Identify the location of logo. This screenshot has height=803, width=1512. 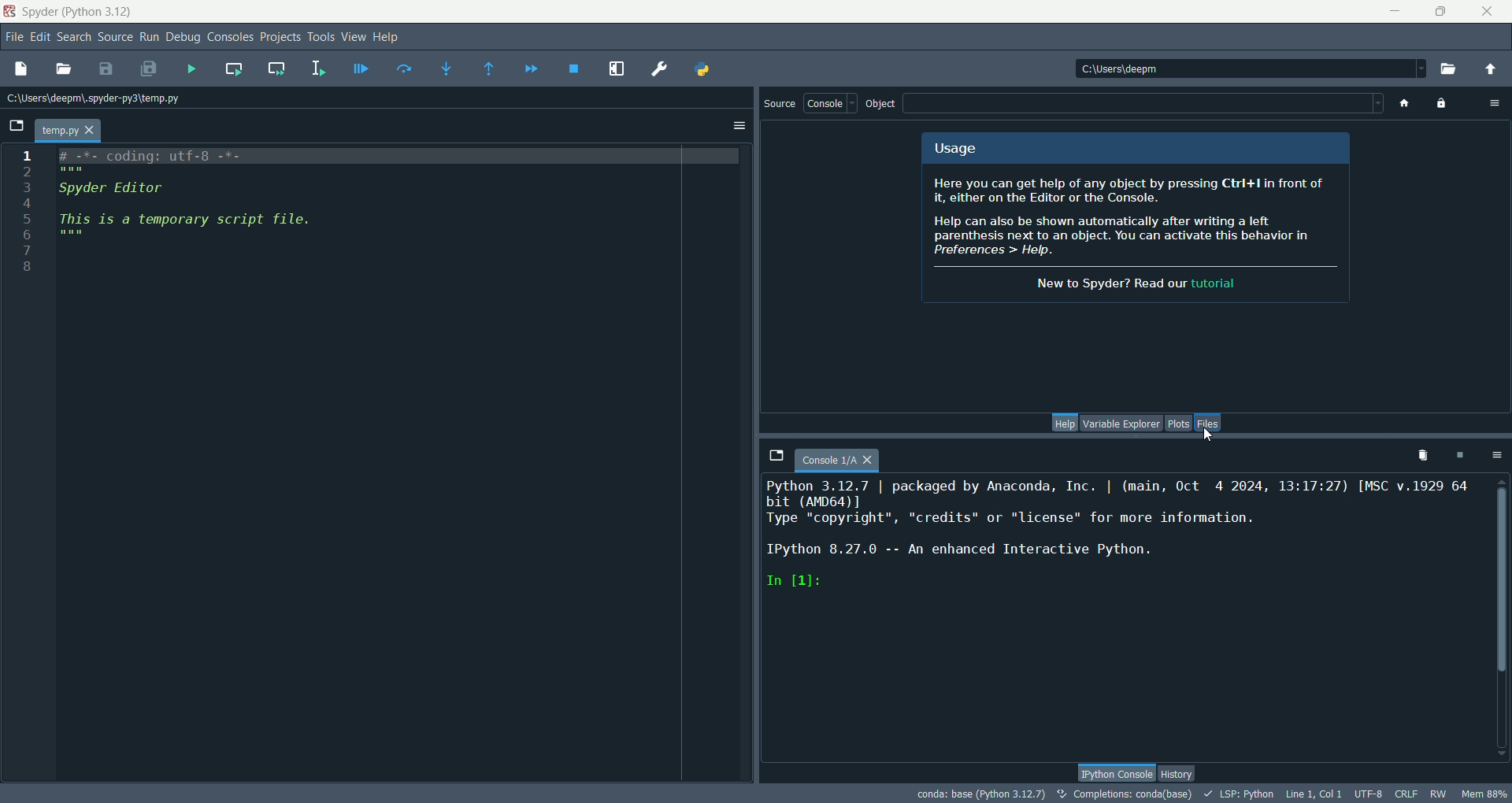
(10, 12).